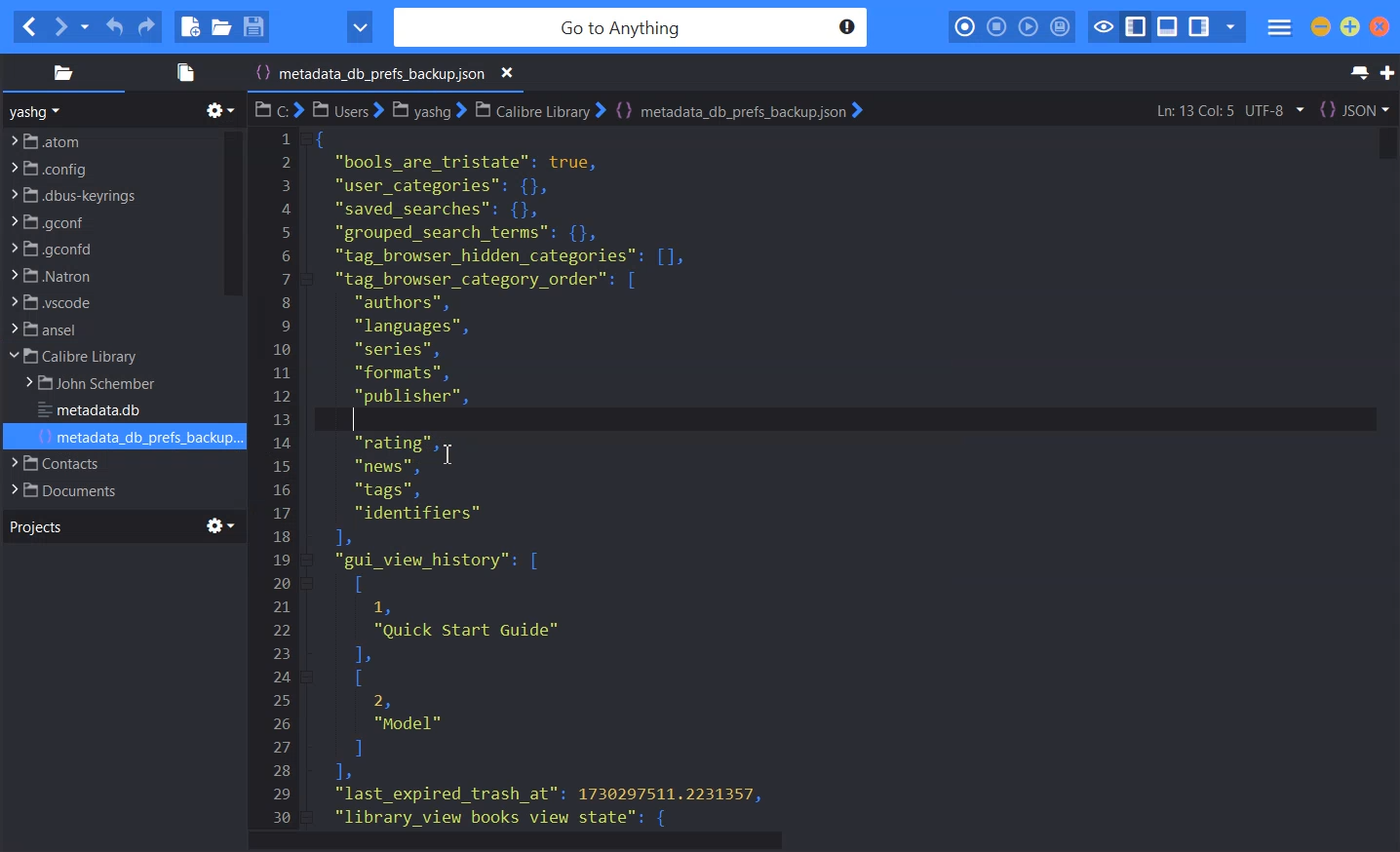 Image resolution: width=1400 pixels, height=852 pixels. Describe the element at coordinates (1354, 109) in the screenshot. I see `JSON` at that location.